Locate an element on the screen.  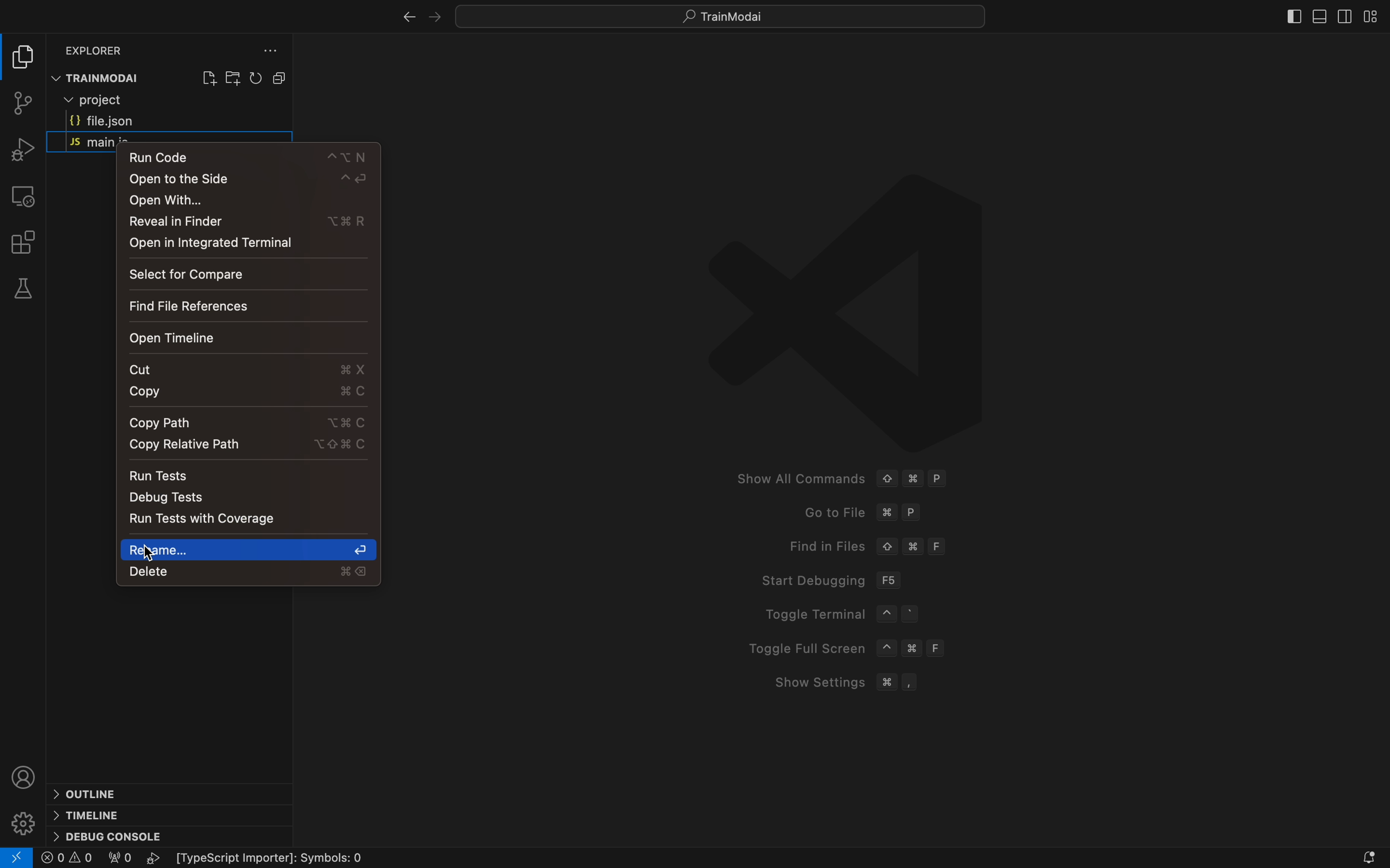
notification is located at coordinates (1360, 856).